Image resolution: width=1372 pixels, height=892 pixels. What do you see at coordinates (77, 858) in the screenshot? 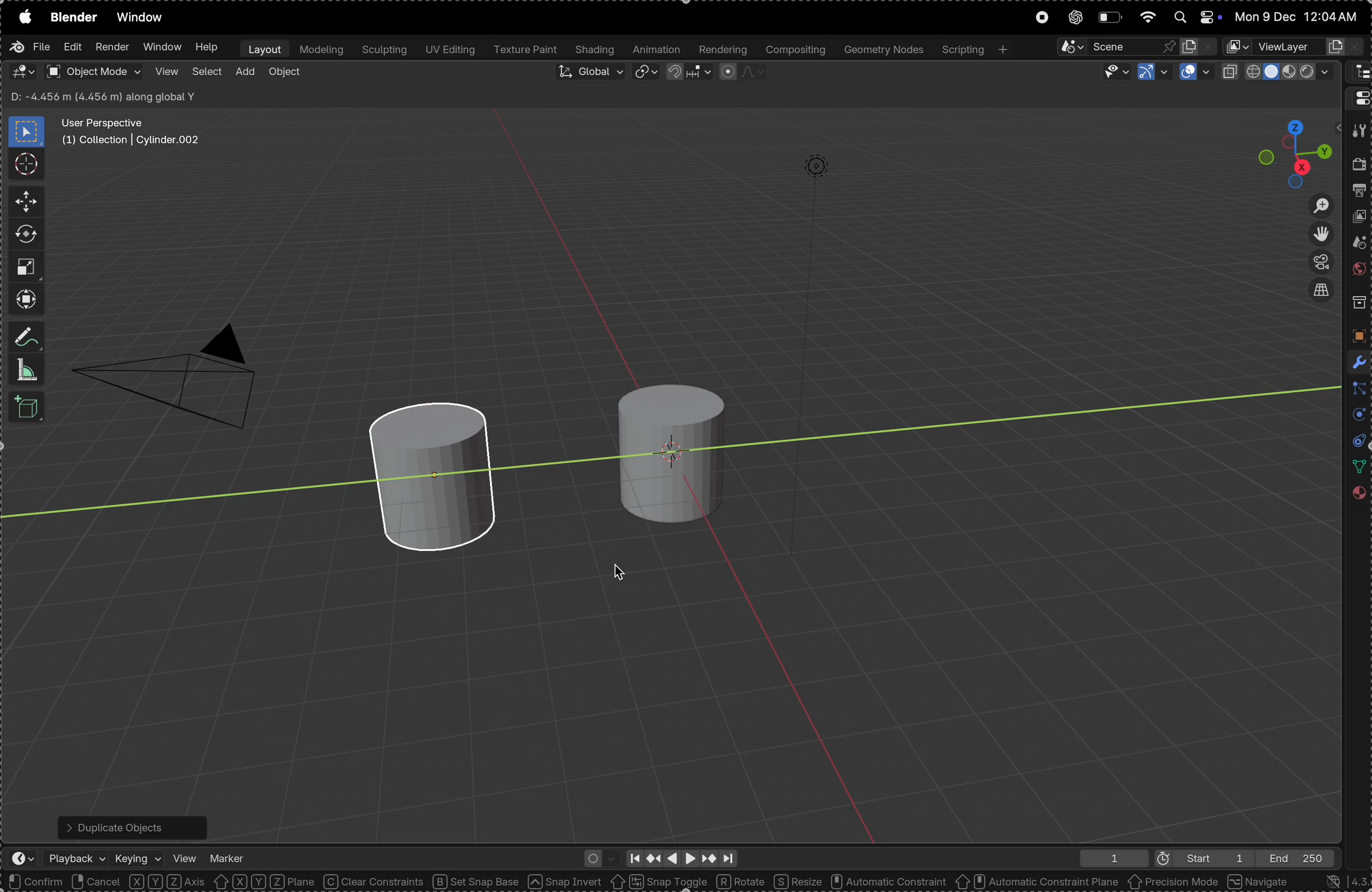
I see `play back ` at bounding box center [77, 858].